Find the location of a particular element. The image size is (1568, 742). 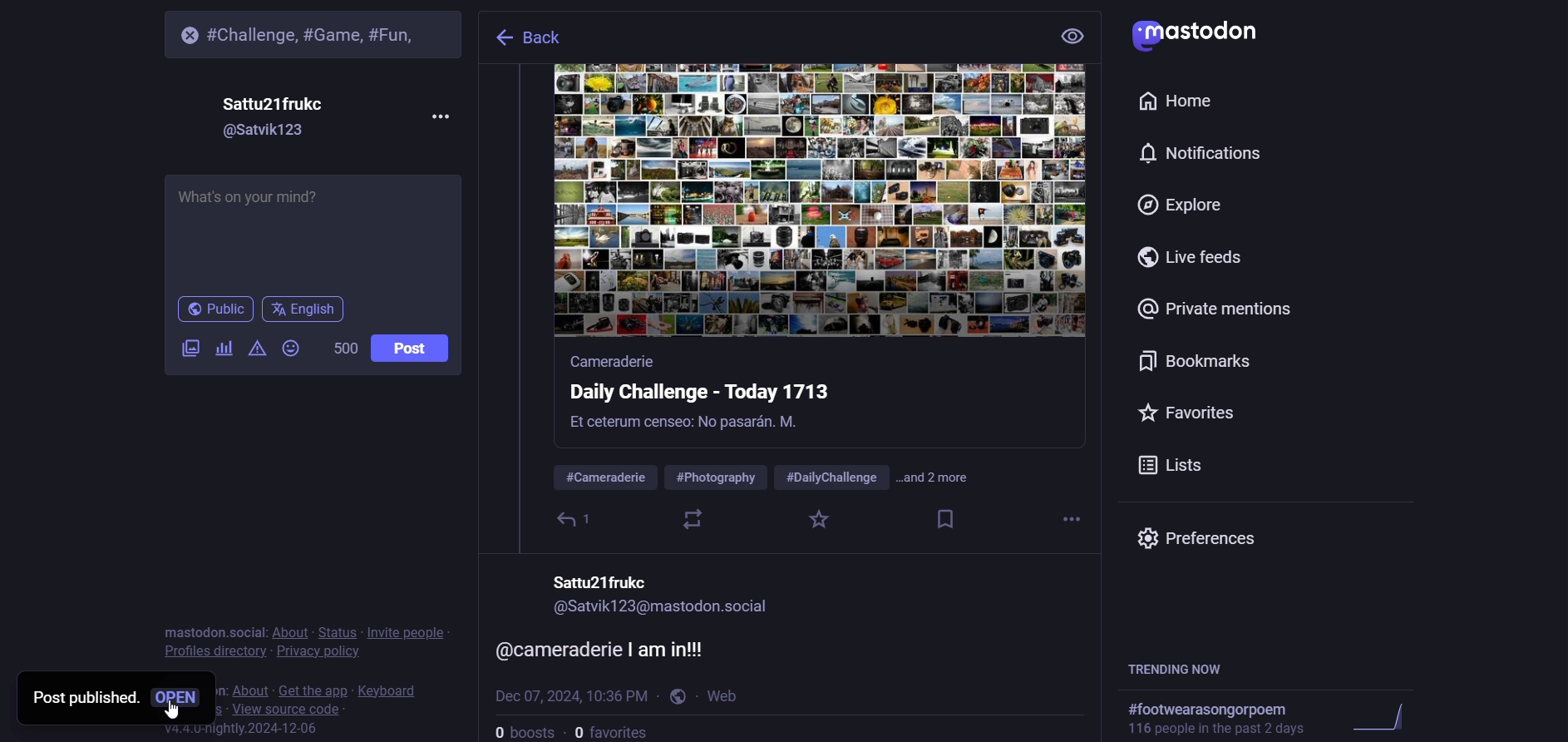

more is located at coordinates (1067, 517).